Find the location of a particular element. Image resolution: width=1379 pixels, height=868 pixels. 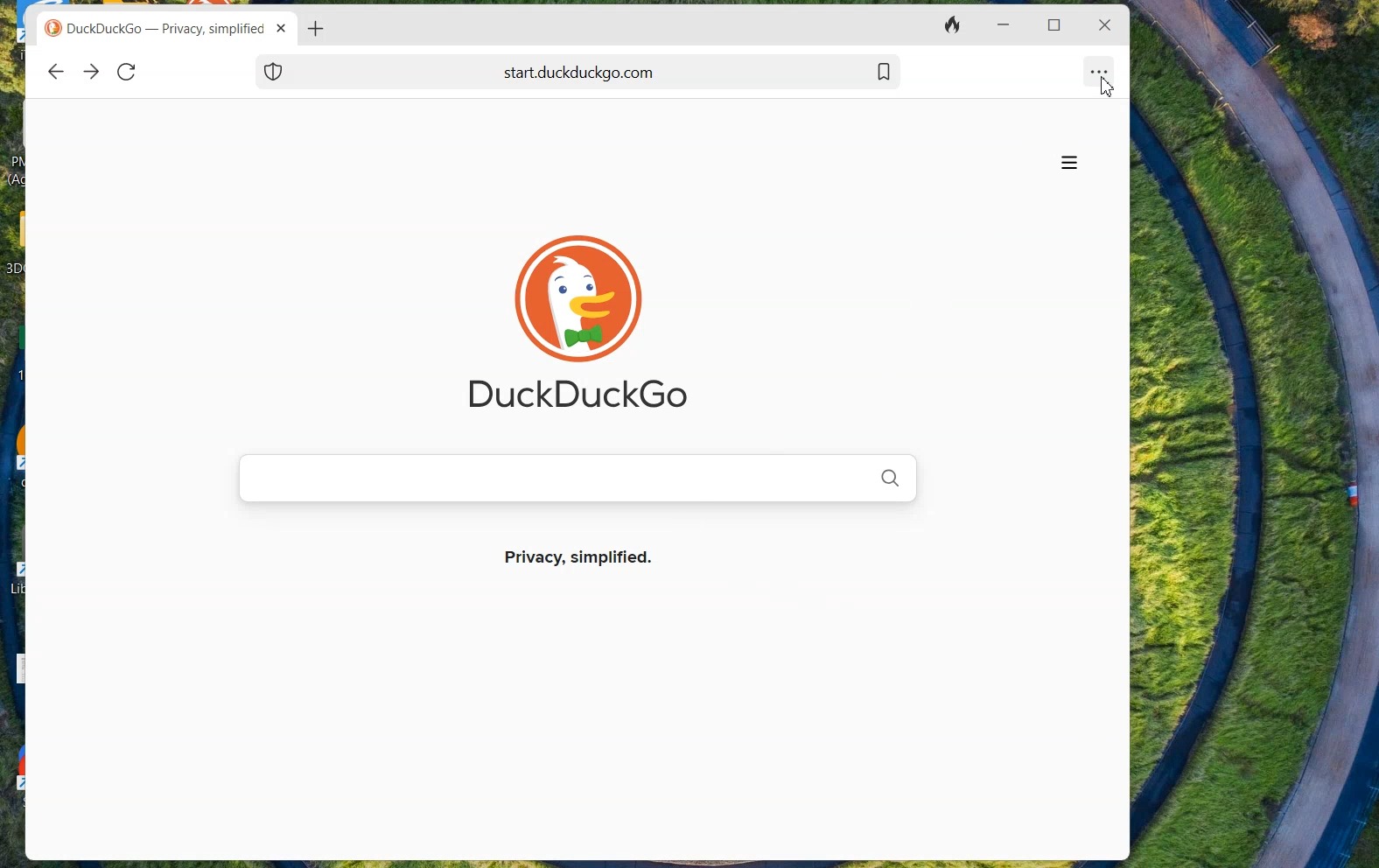

close is located at coordinates (1102, 25).